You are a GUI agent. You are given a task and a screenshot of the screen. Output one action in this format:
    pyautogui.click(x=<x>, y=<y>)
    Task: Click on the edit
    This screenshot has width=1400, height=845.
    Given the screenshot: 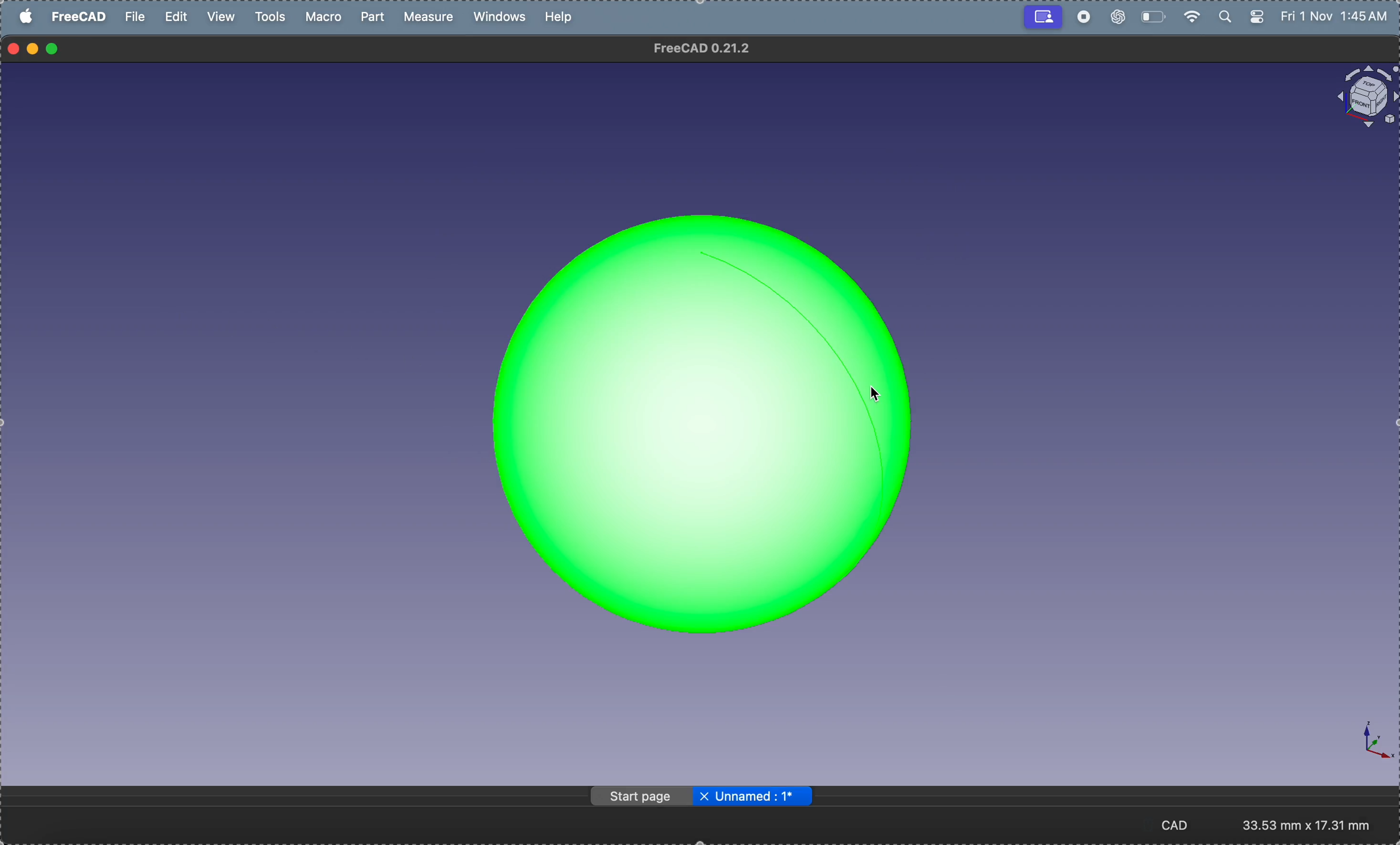 What is the action you would take?
    pyautogui.click(x=177, y=16)
    